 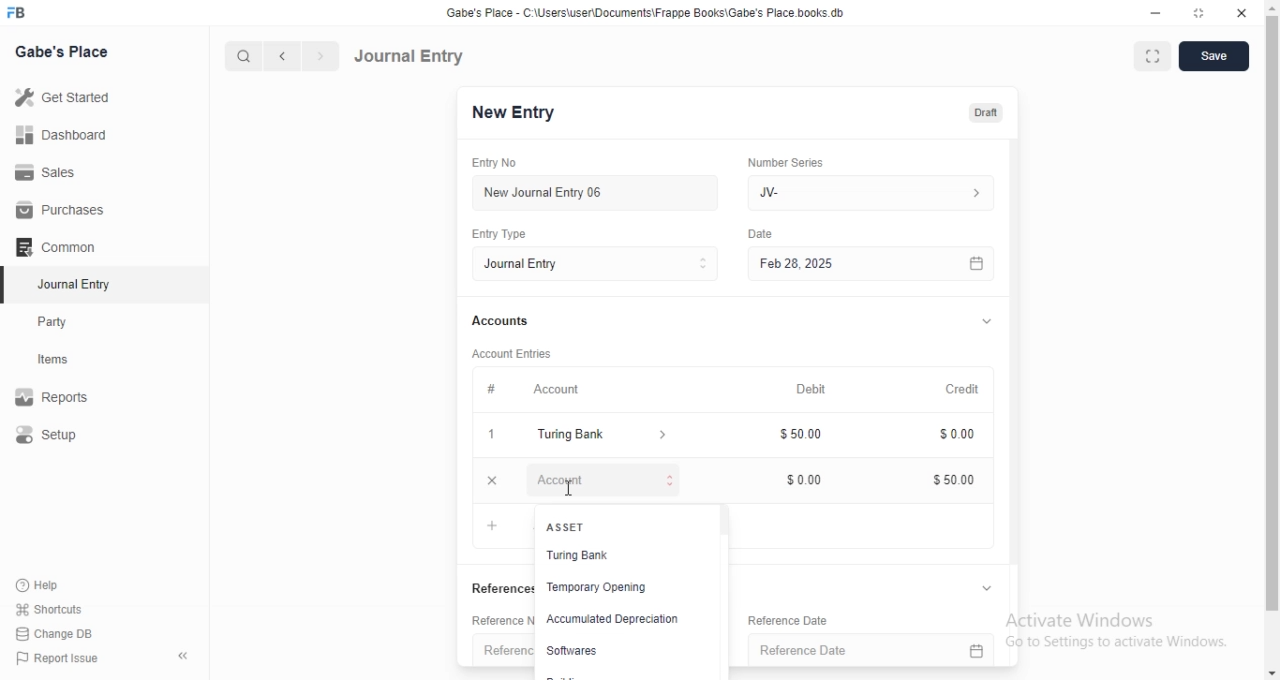 What do you see at coordinates (818, 390) in the screenshot?
I see `Debit` at bounding box center [818, 390].